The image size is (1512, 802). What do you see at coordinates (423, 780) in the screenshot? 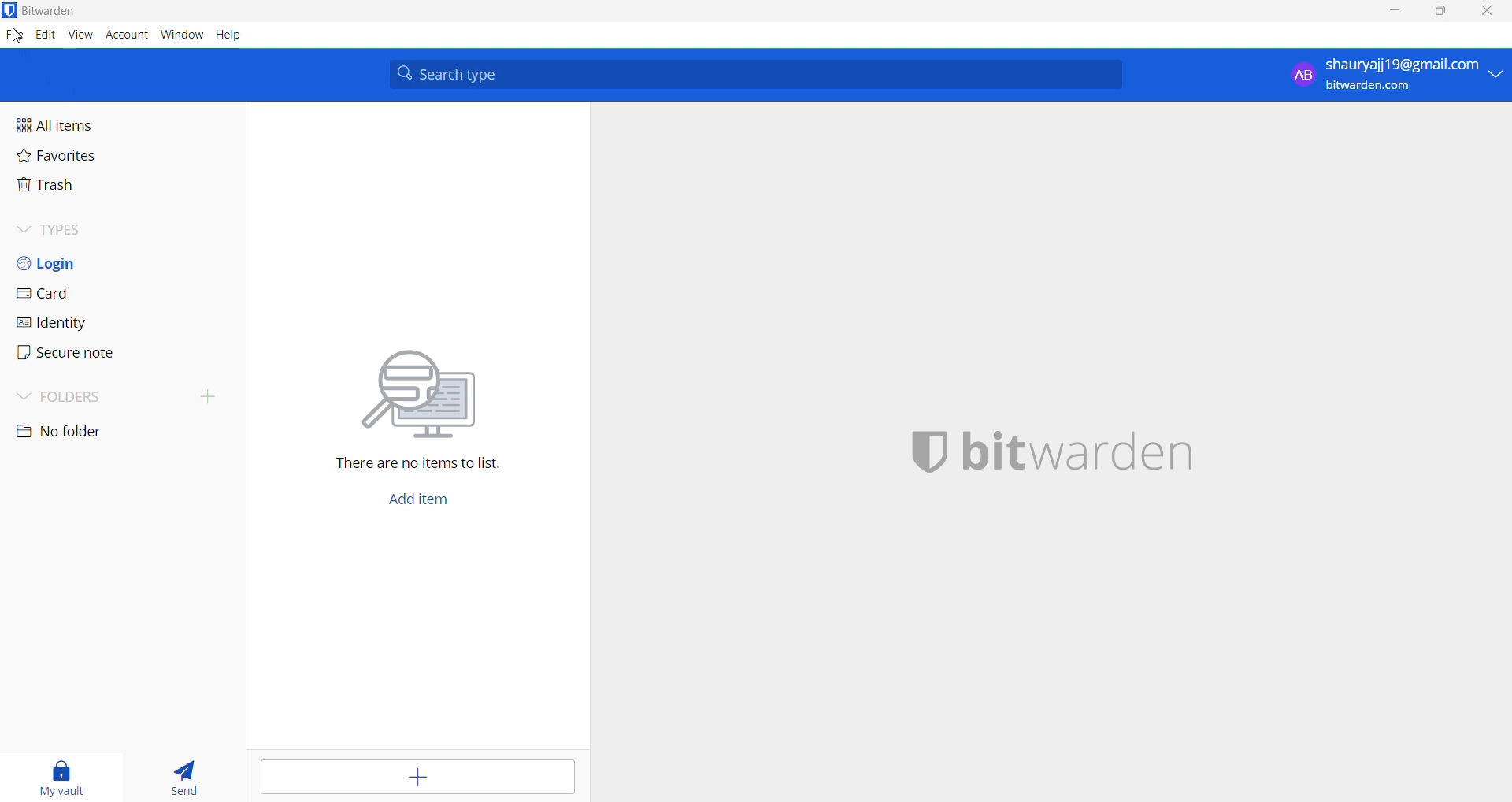
I see `add item` at bounding box center [423, 780].